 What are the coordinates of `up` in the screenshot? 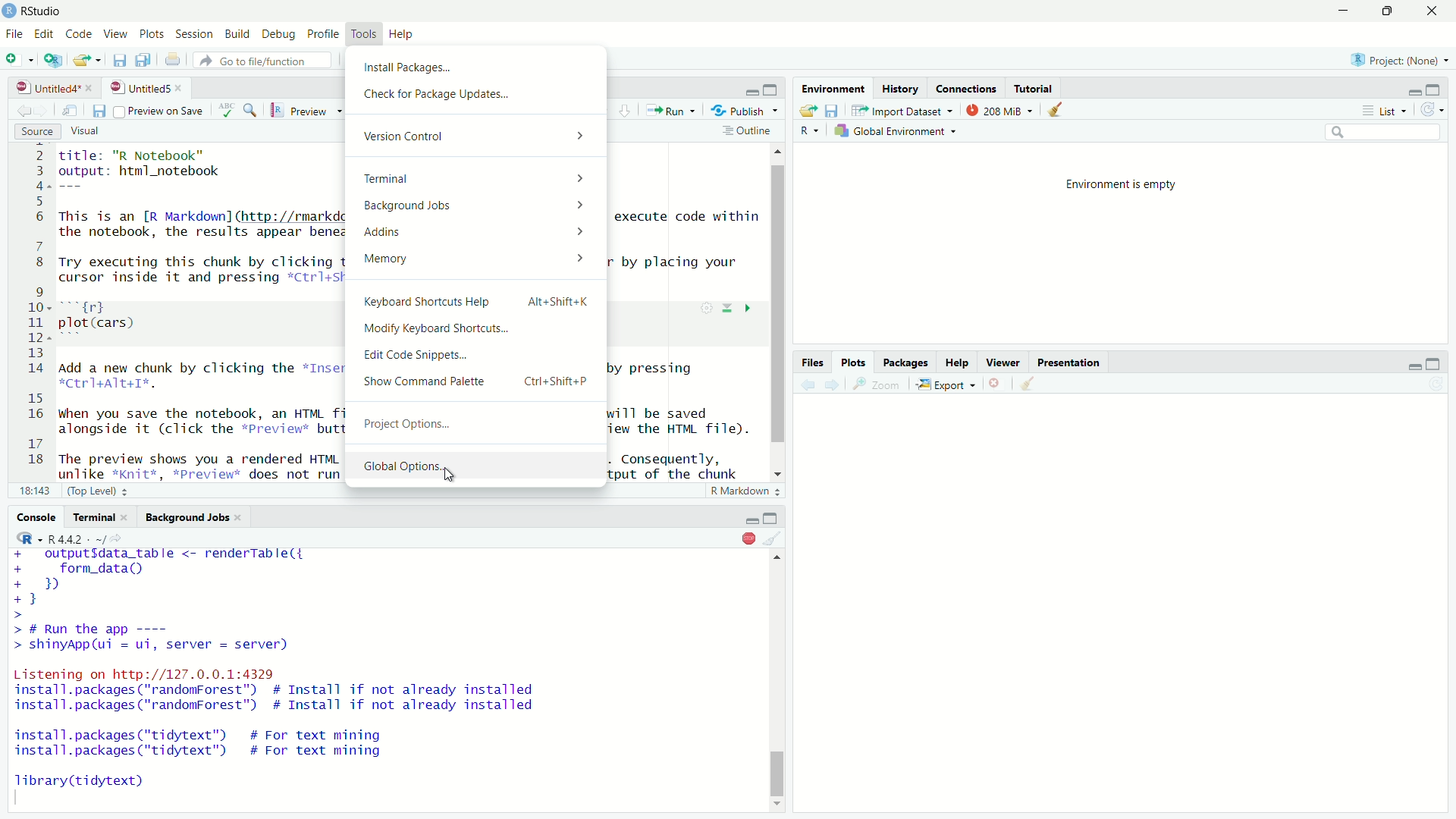 It's located at (626, 111).